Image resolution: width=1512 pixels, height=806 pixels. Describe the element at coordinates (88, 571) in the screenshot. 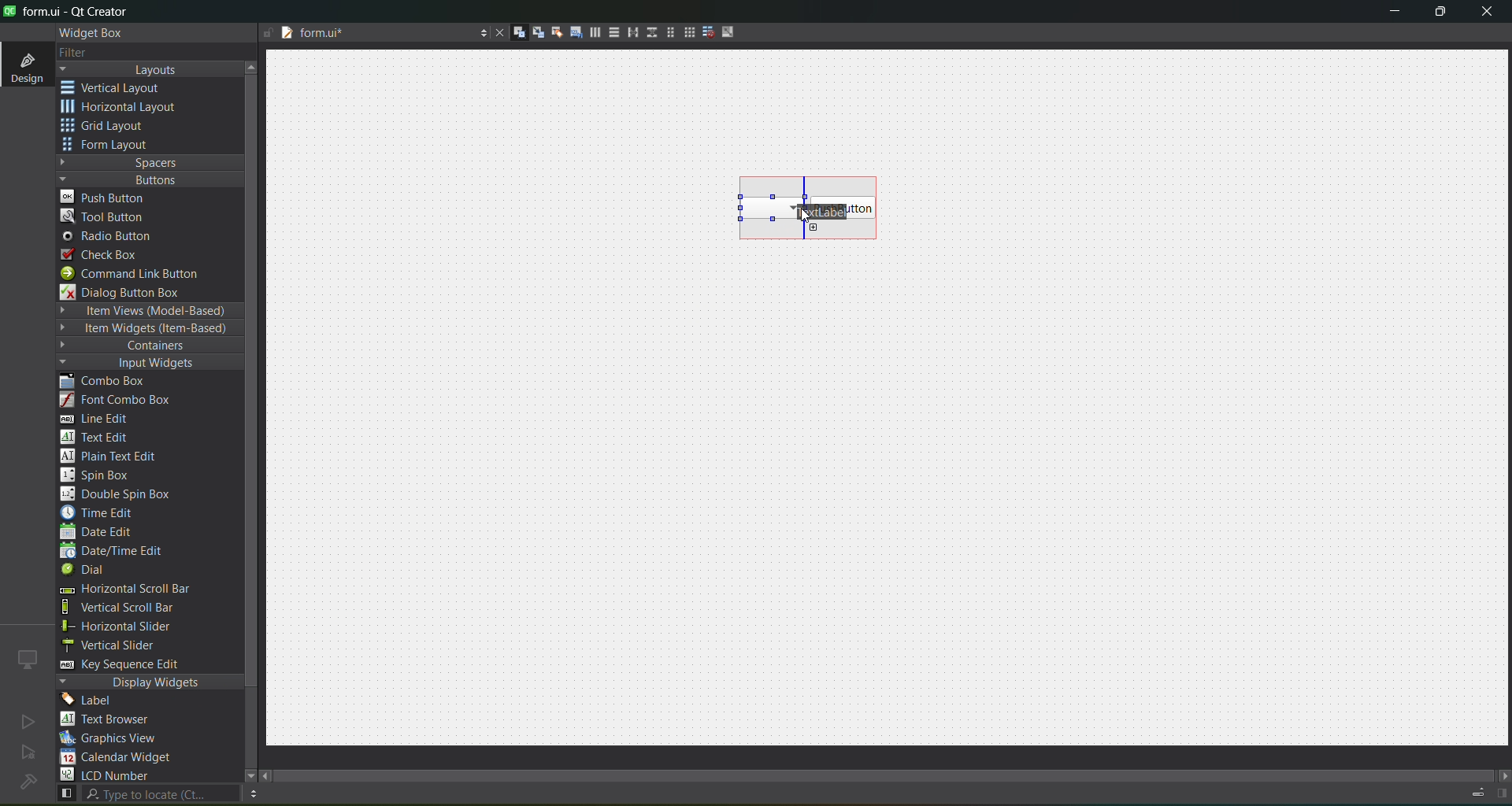

I see `dial` at that location.